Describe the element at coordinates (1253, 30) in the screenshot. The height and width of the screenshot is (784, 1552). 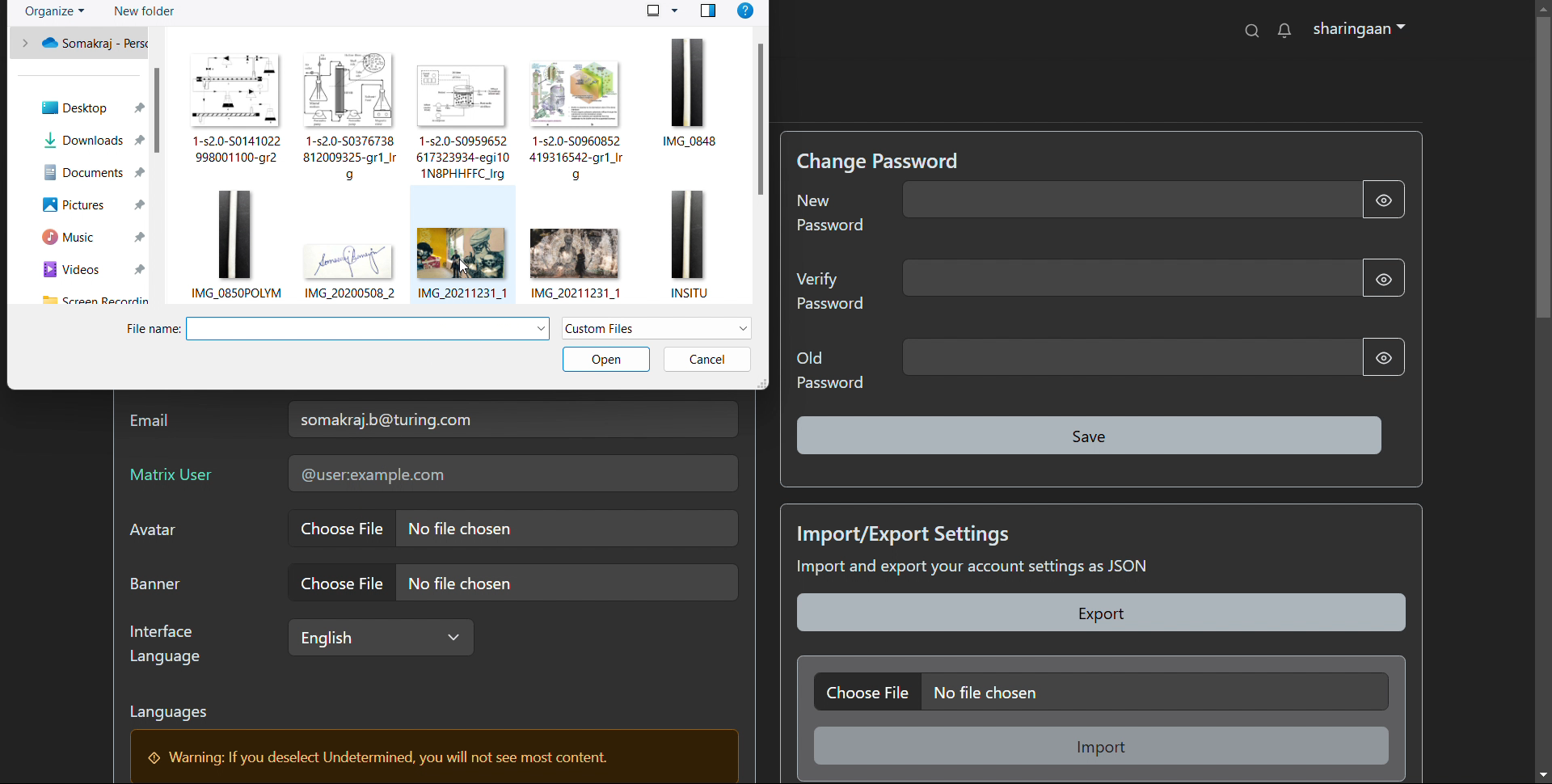
I see `search` at that location.